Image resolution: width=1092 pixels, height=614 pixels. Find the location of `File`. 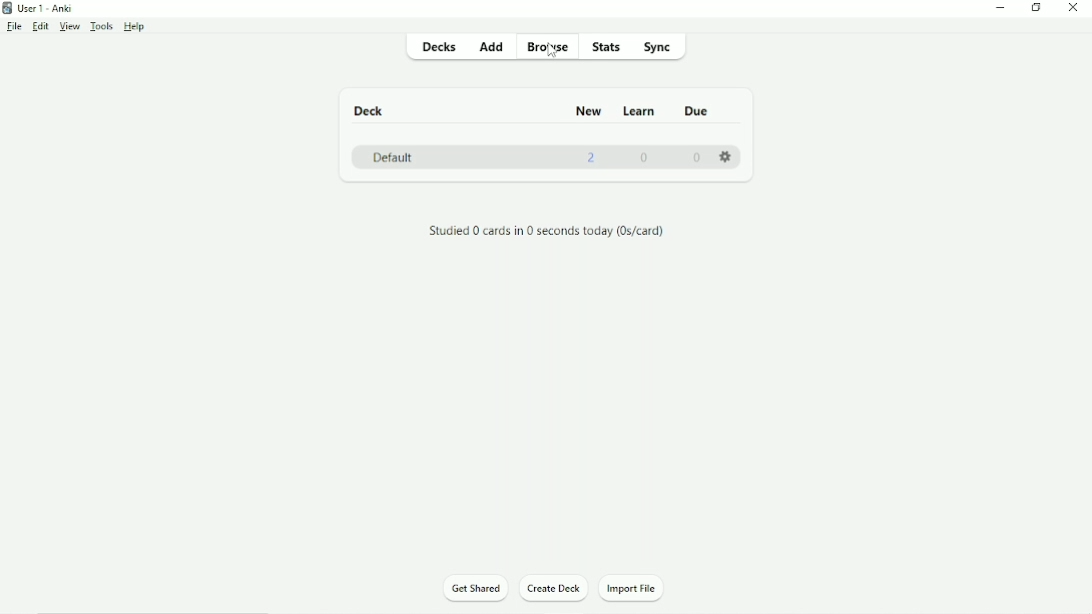

File is located at coordinates (14, 27).